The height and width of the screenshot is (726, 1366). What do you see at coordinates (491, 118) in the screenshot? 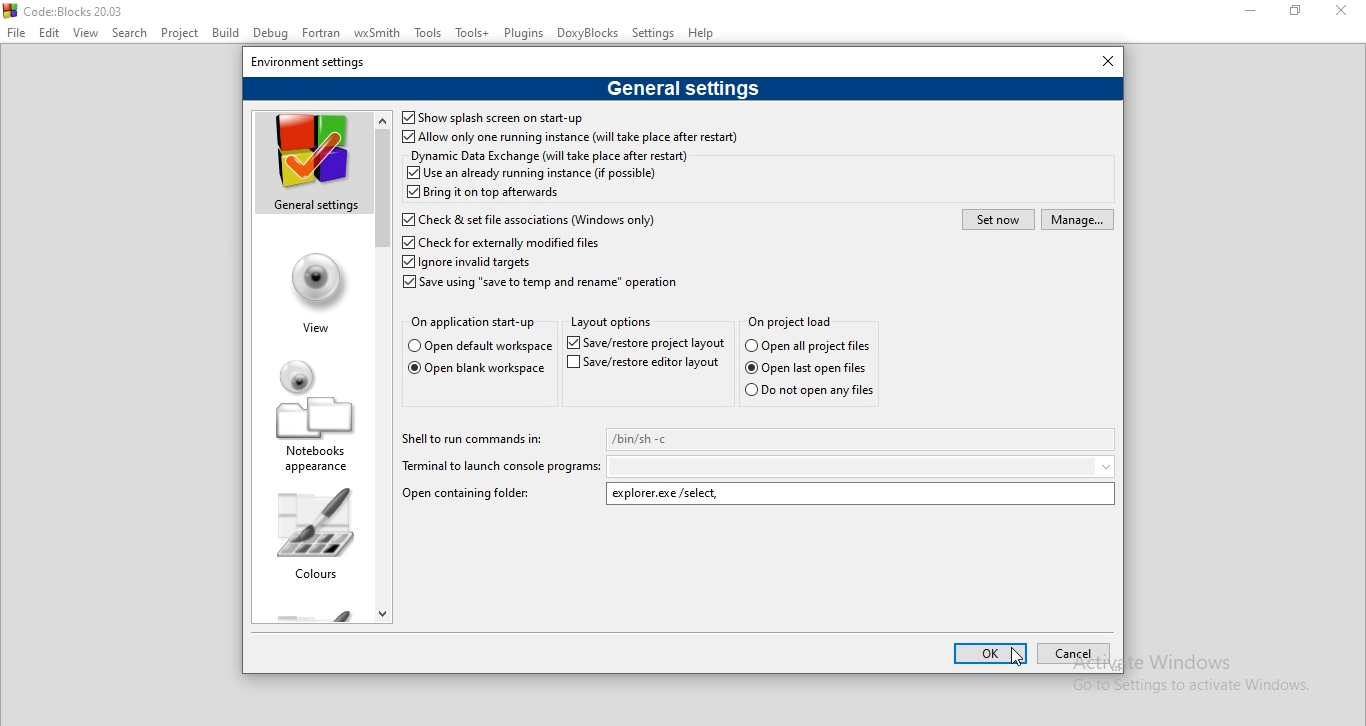
I see `Show splash screen on start-up` at bounding box center [491, 118].